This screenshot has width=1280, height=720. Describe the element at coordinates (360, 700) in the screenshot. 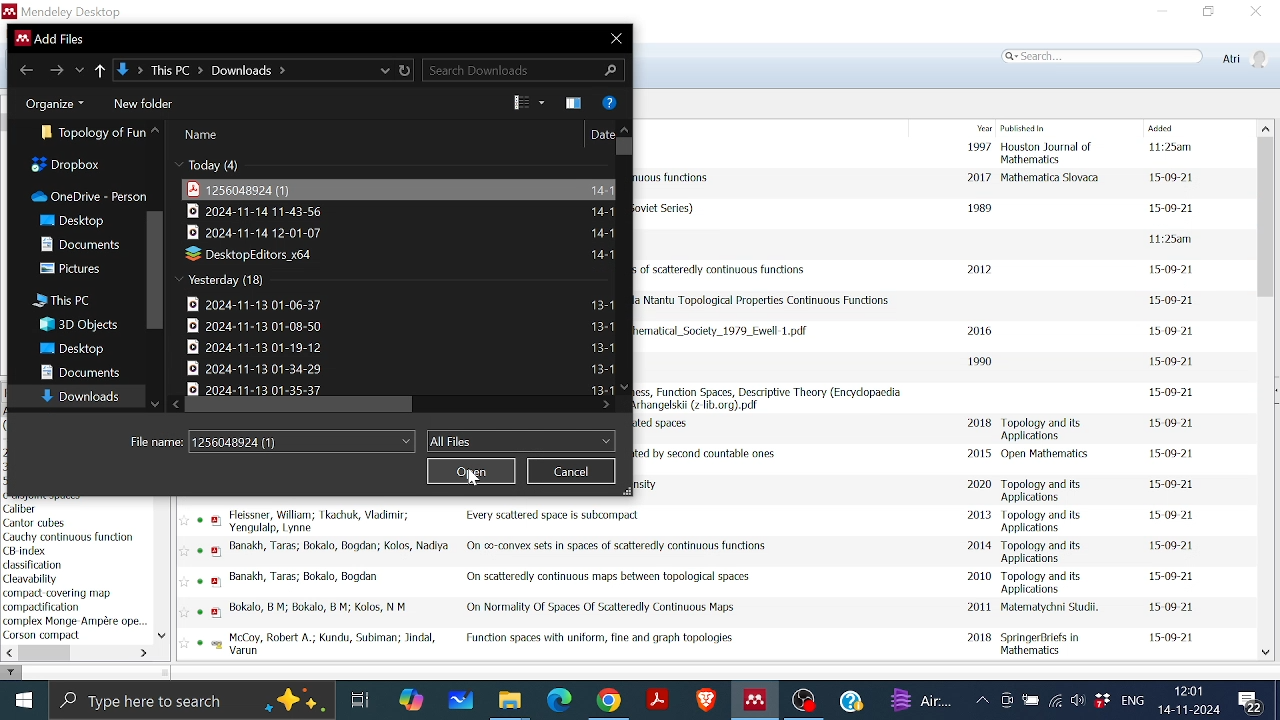

I see `Task View` at that location.